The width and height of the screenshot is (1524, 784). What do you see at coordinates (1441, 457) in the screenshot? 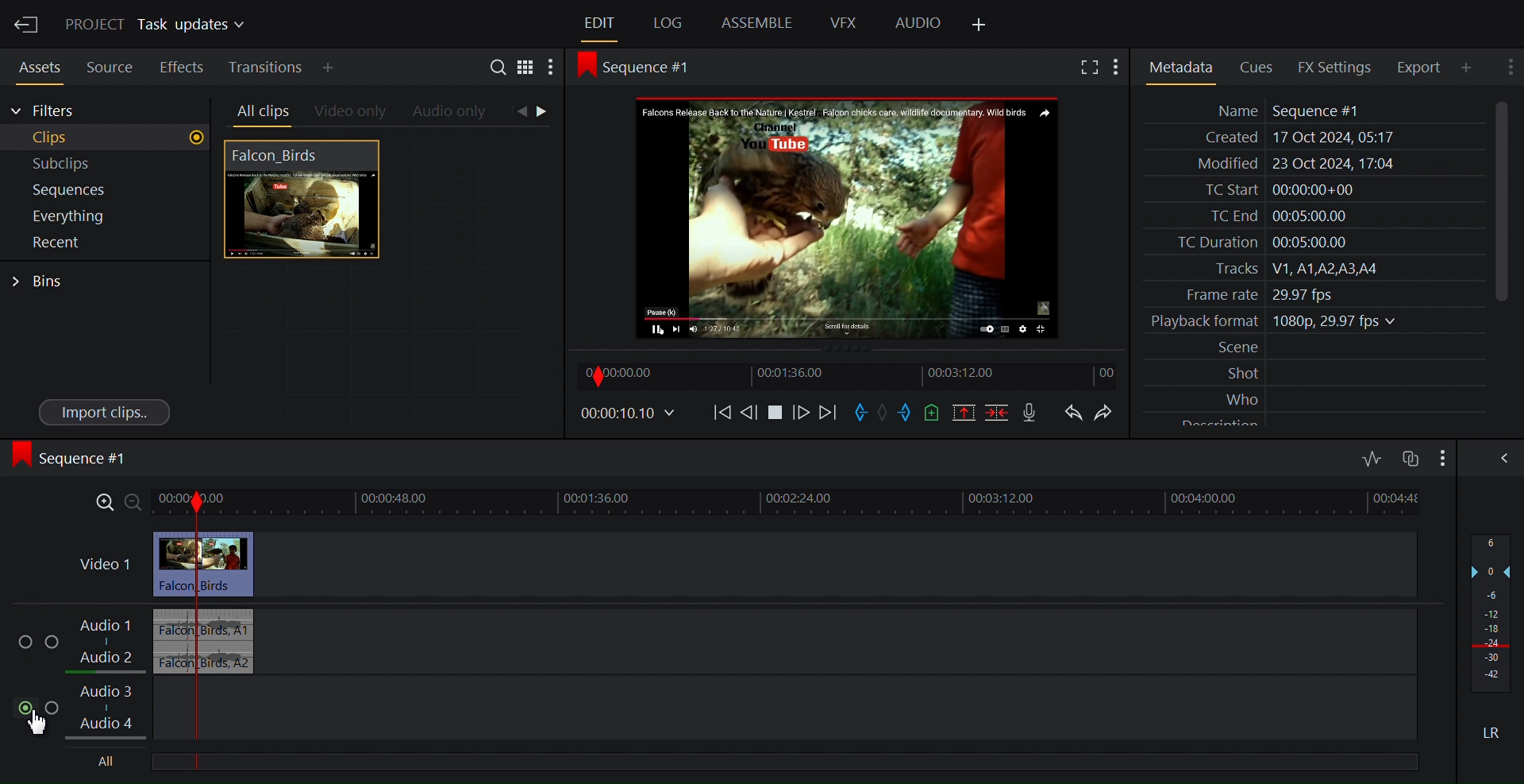
I see `Show/Hide audio full mix` at bounding box center [1441, 457].